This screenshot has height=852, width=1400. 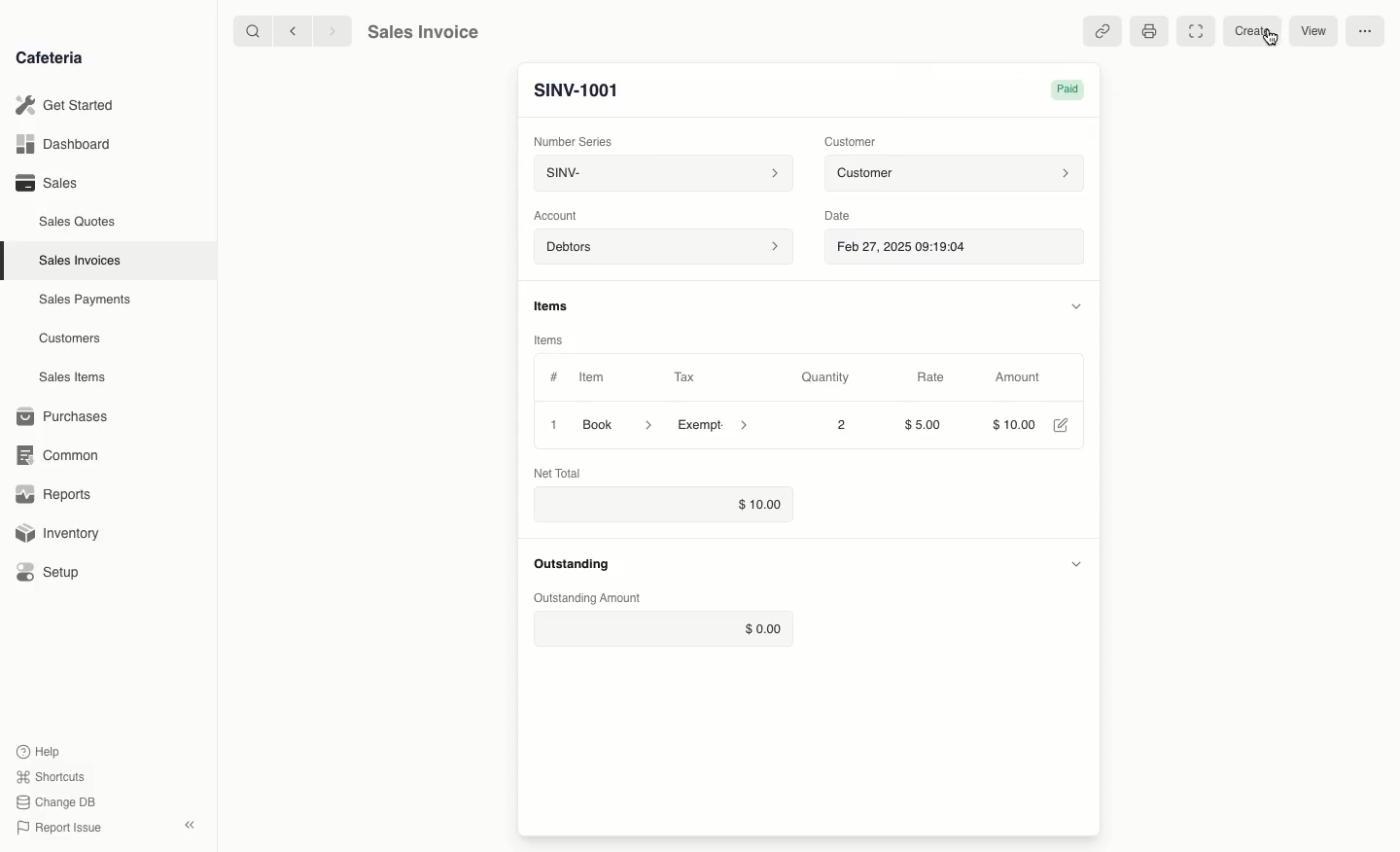 I want to click on forward, so click(x=334, y=31).